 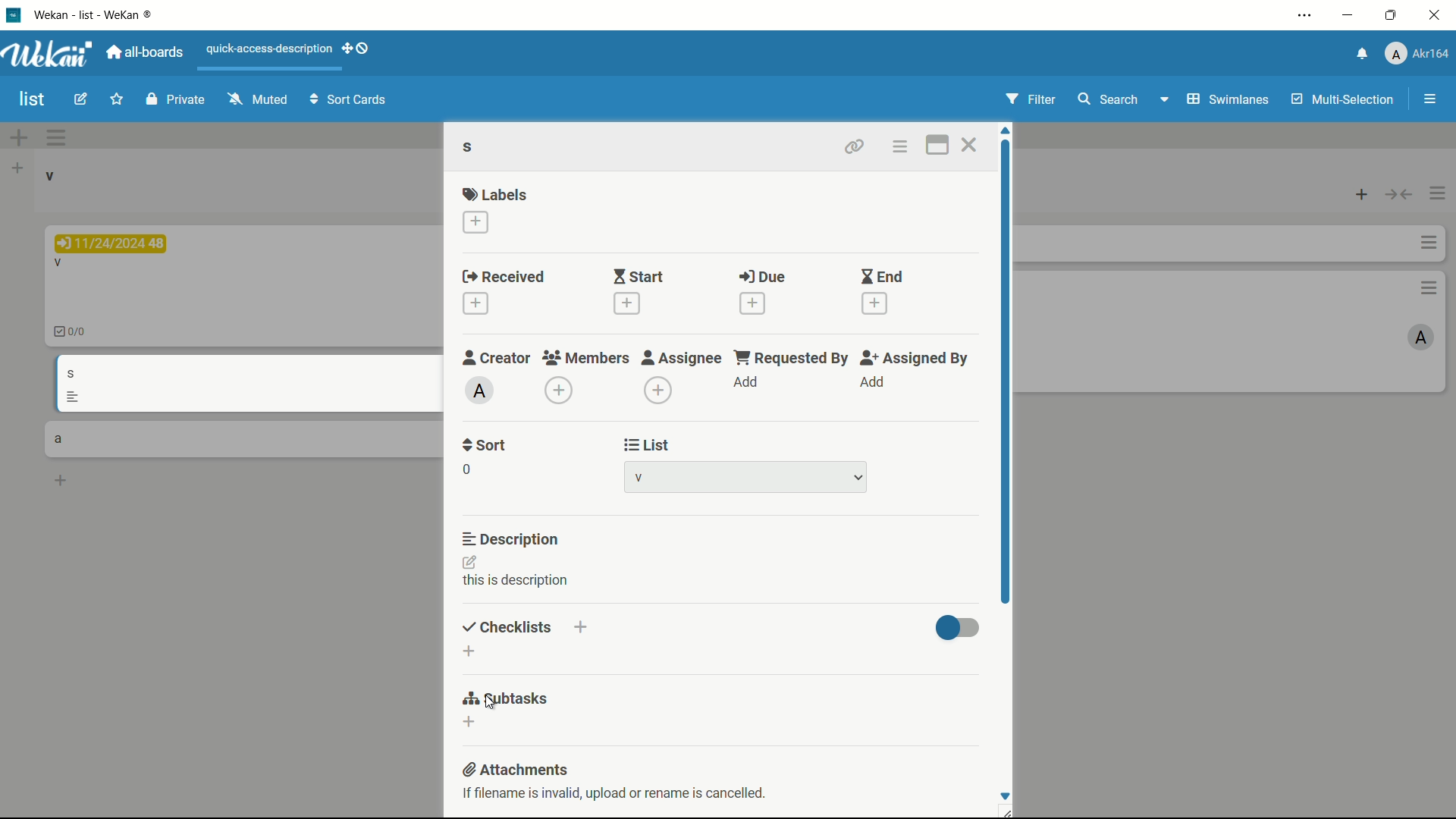 I want to click on edit description, so click(x=471, y=562).